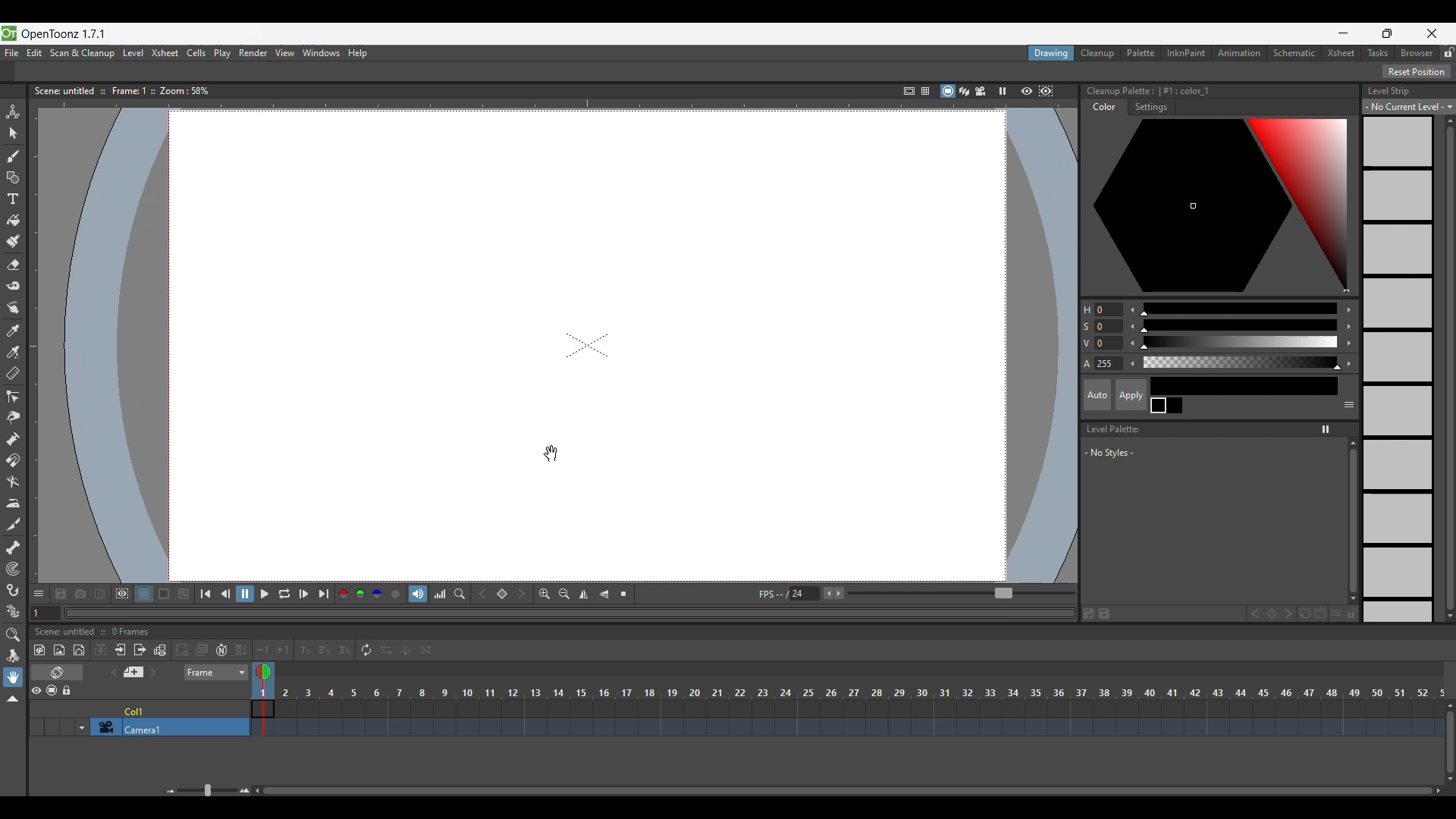  What do you see at coordinates (223, 54) in the screenshot?
I see `Play` at bounding box center [223, 54].